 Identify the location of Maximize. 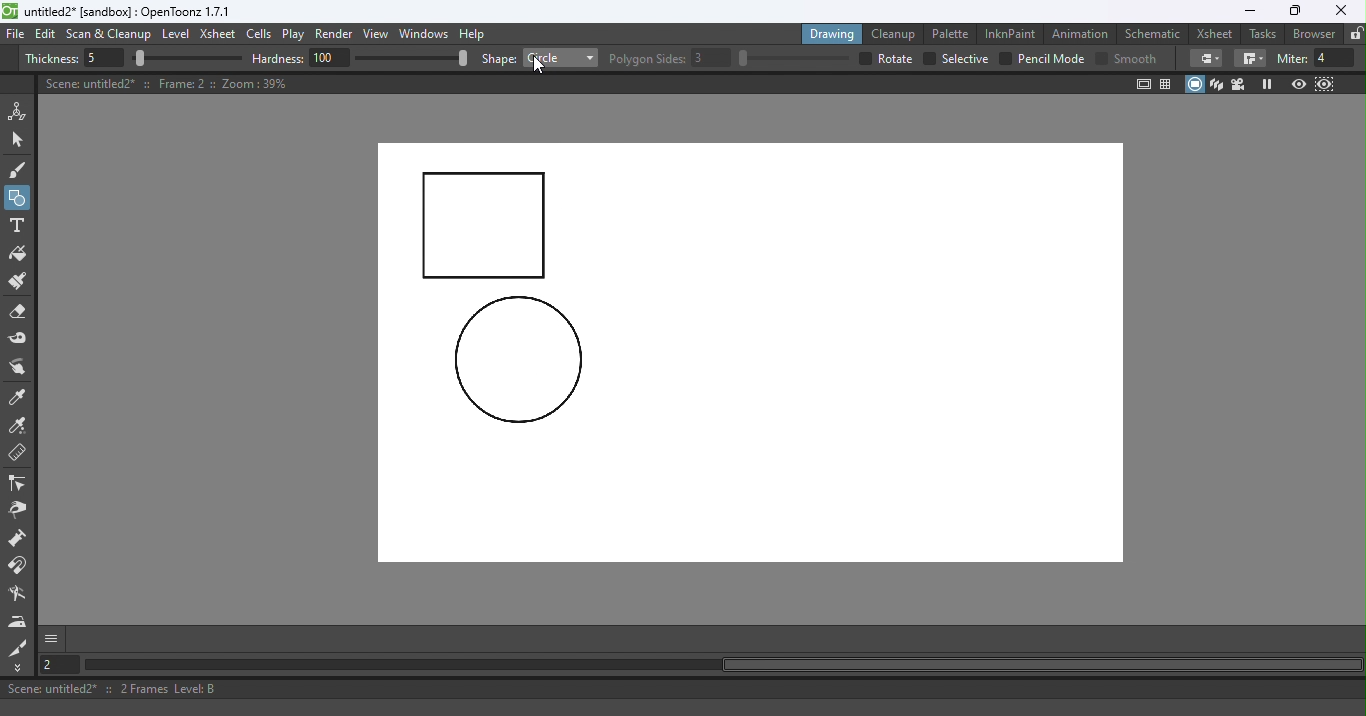
(1292, 12).